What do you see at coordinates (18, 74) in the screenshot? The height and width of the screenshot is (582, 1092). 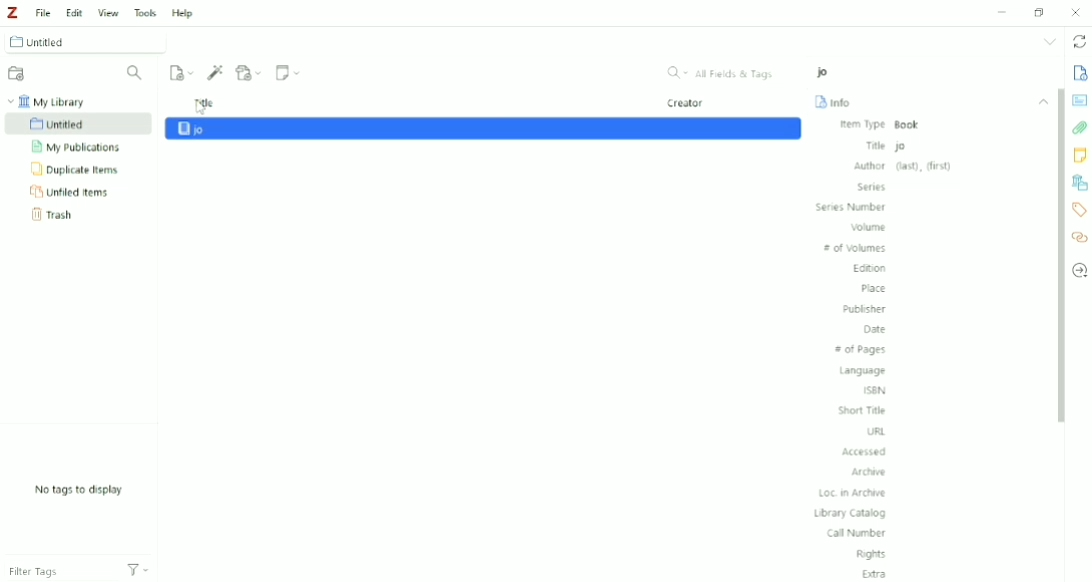 I see `New Collection` at bounding box center [18, 74].